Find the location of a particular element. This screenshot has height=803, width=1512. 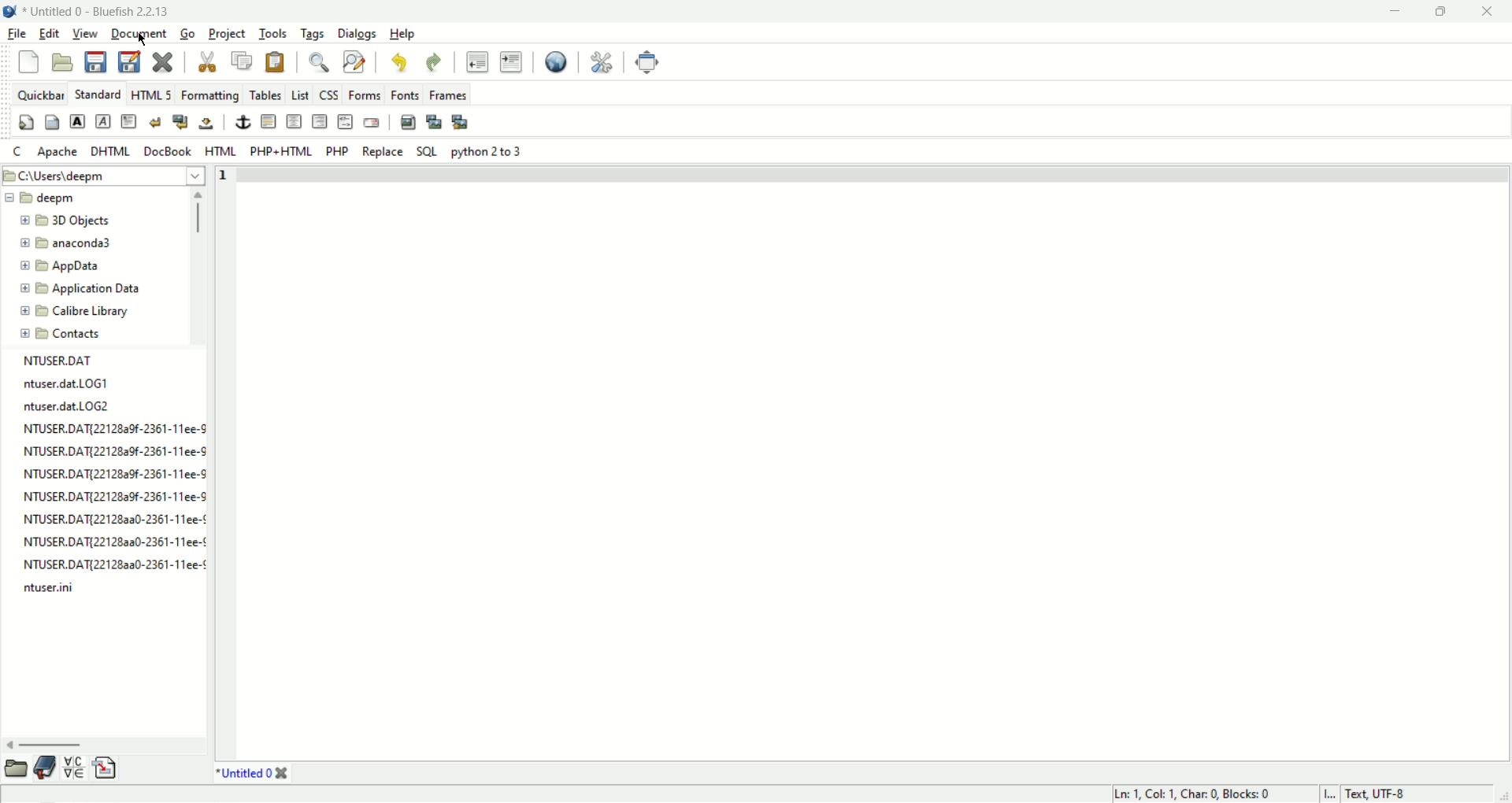

tags is located at coordinates (313, 32).